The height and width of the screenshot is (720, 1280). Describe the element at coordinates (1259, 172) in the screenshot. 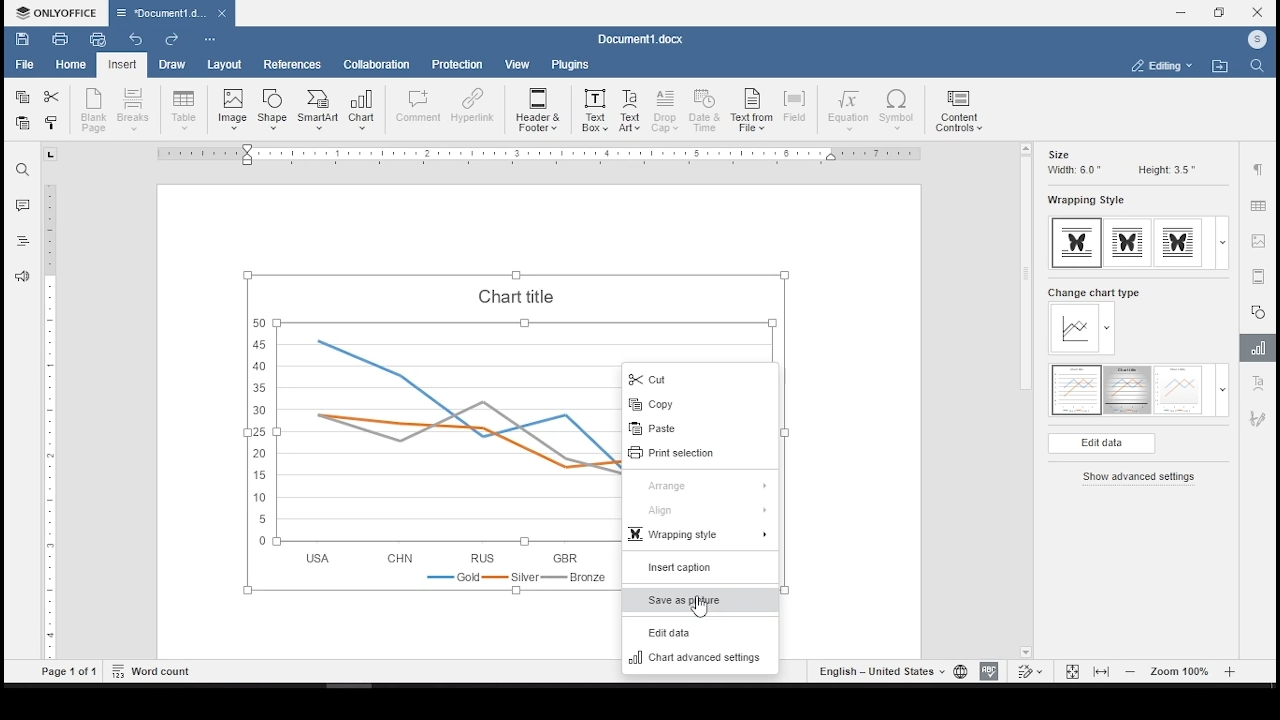

I see `paragraph settings` at that location.